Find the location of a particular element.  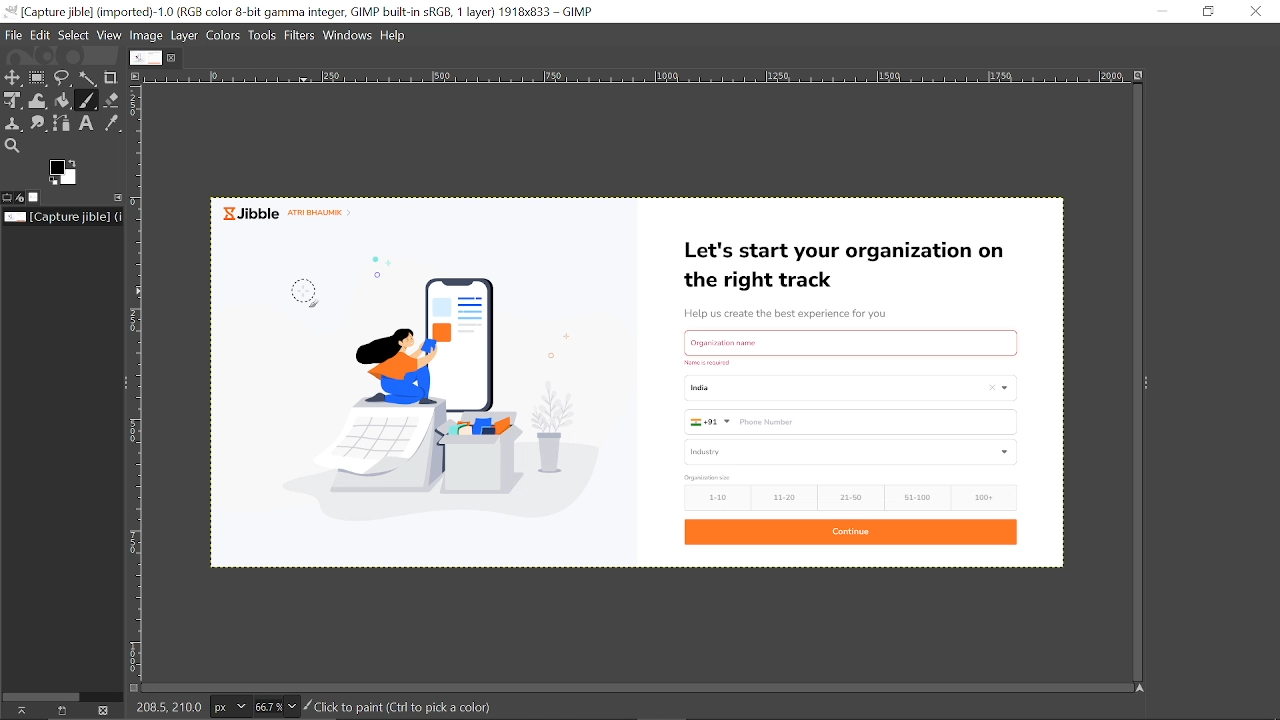

Current window is located at coordinates (300, 12).